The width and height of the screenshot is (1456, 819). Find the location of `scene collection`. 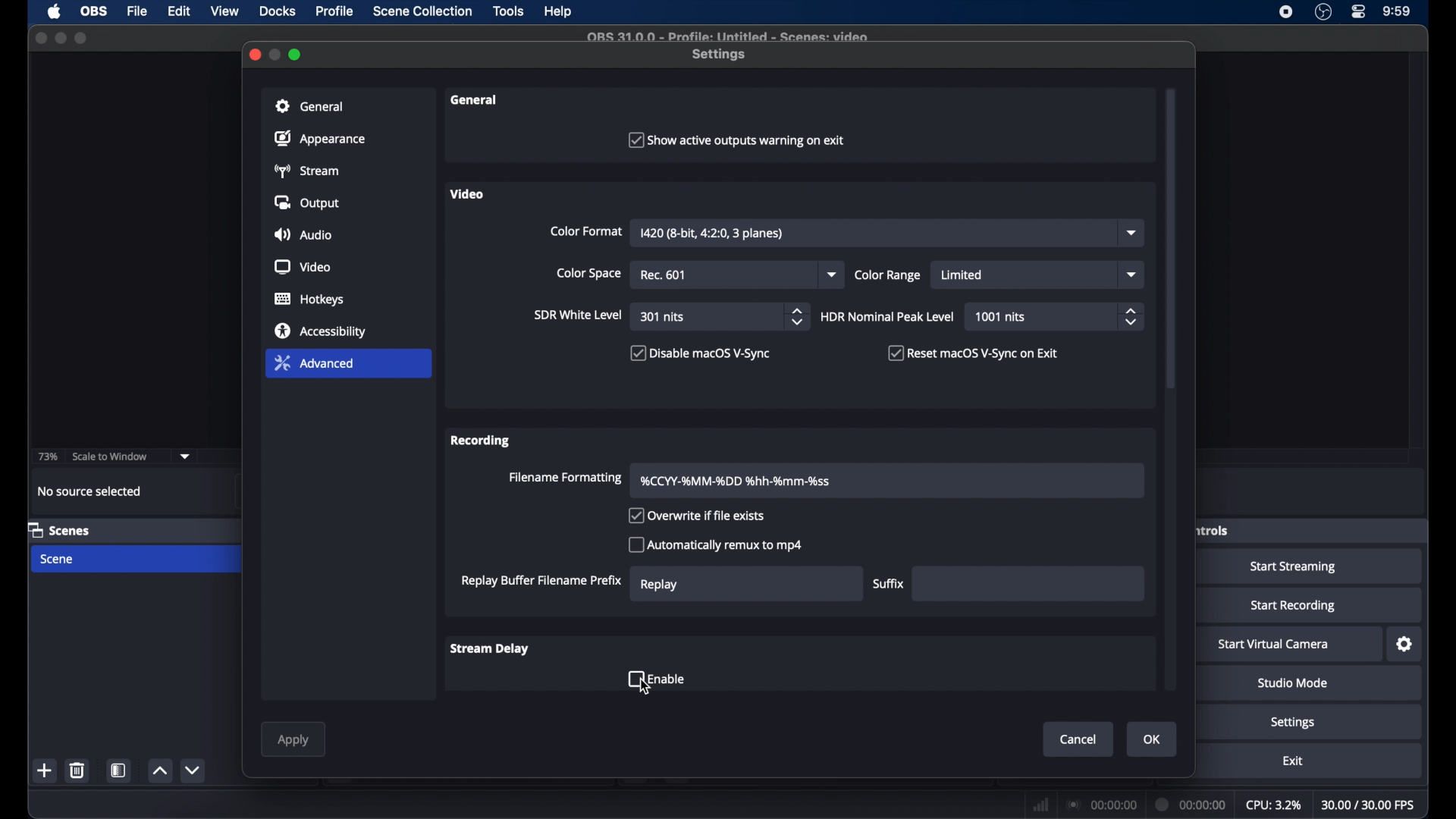

scene collection is located at coordinates (422, 12).